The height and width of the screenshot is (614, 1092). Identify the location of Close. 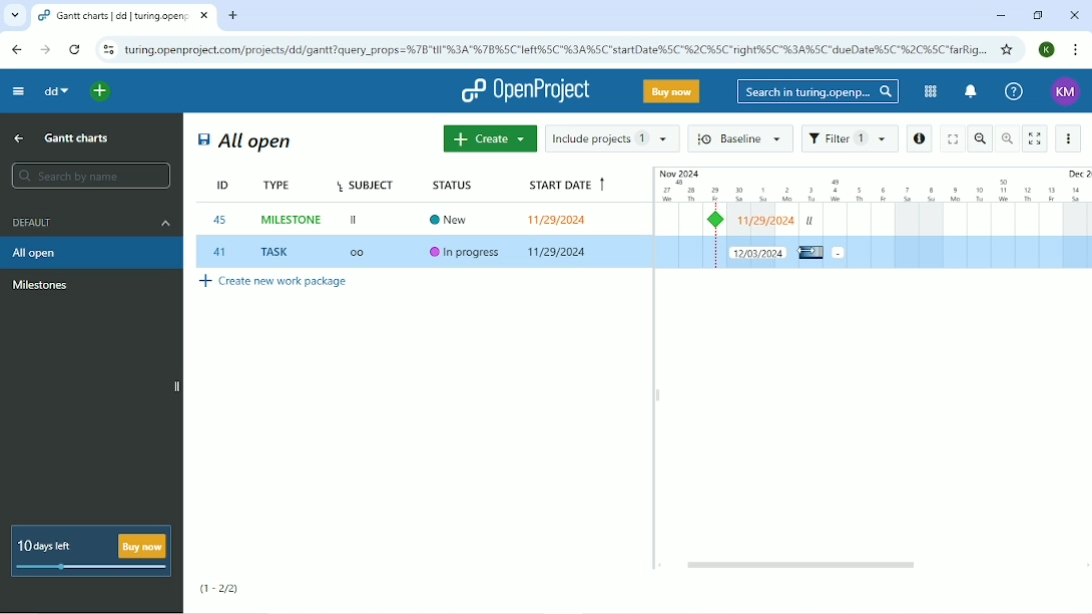
(1074, 16).